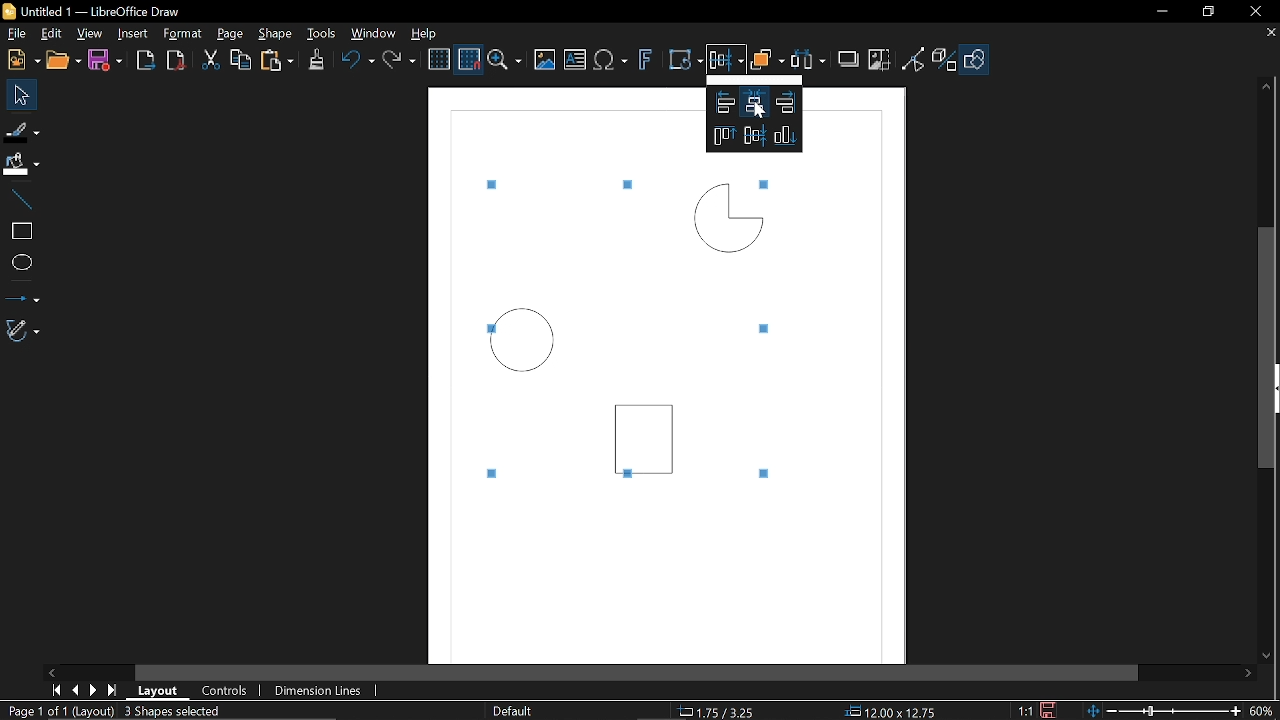 This screenshot has height=720, width=1280. Describe the element at coordinates (321, 34) in the screenshot. I see `Tools` at that location.